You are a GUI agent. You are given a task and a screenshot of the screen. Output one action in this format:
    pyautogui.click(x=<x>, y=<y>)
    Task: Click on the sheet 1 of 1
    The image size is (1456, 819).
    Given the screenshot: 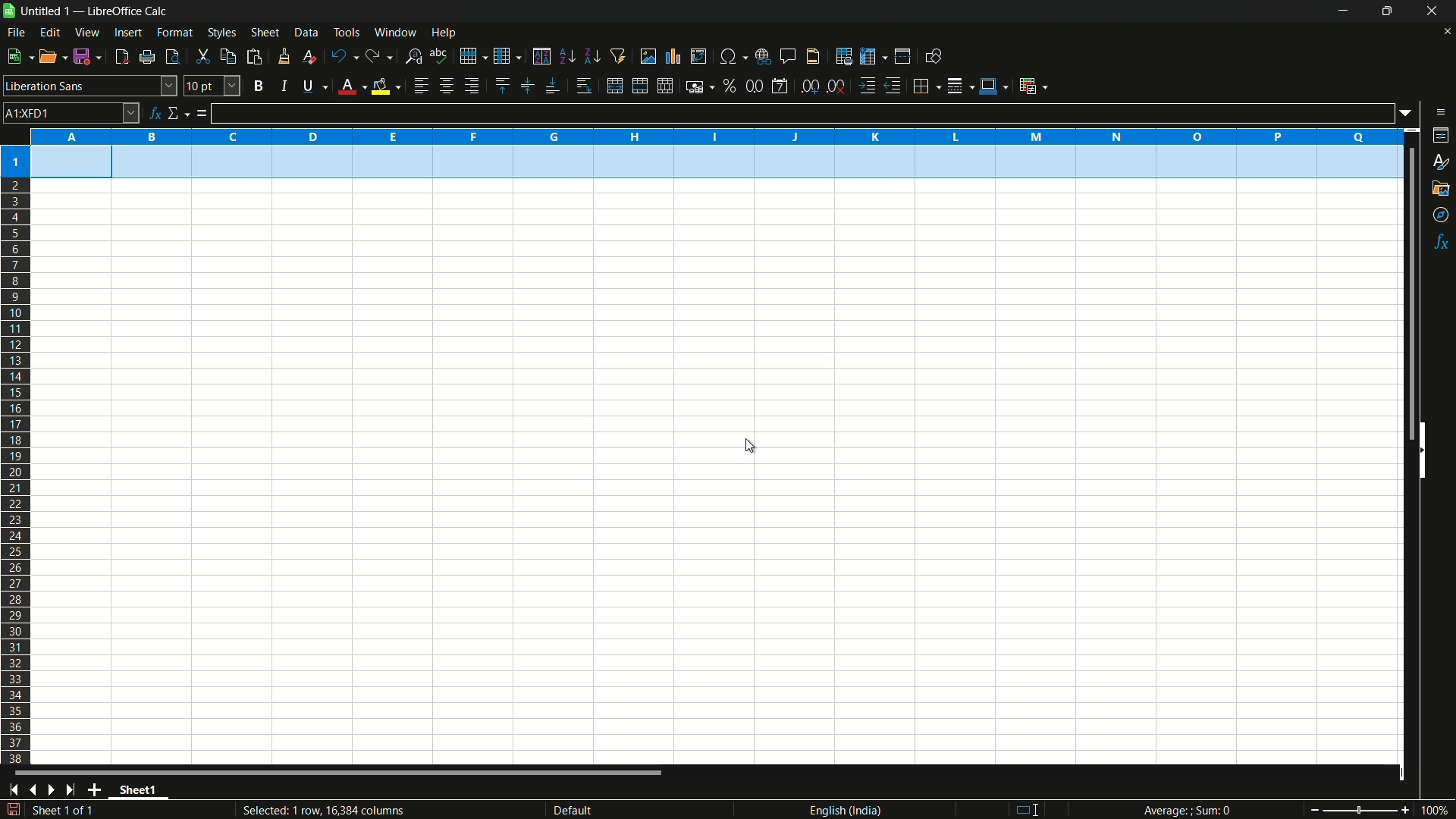 What is the action you would take?
    pyautogui.click(x=68, y=812)
    